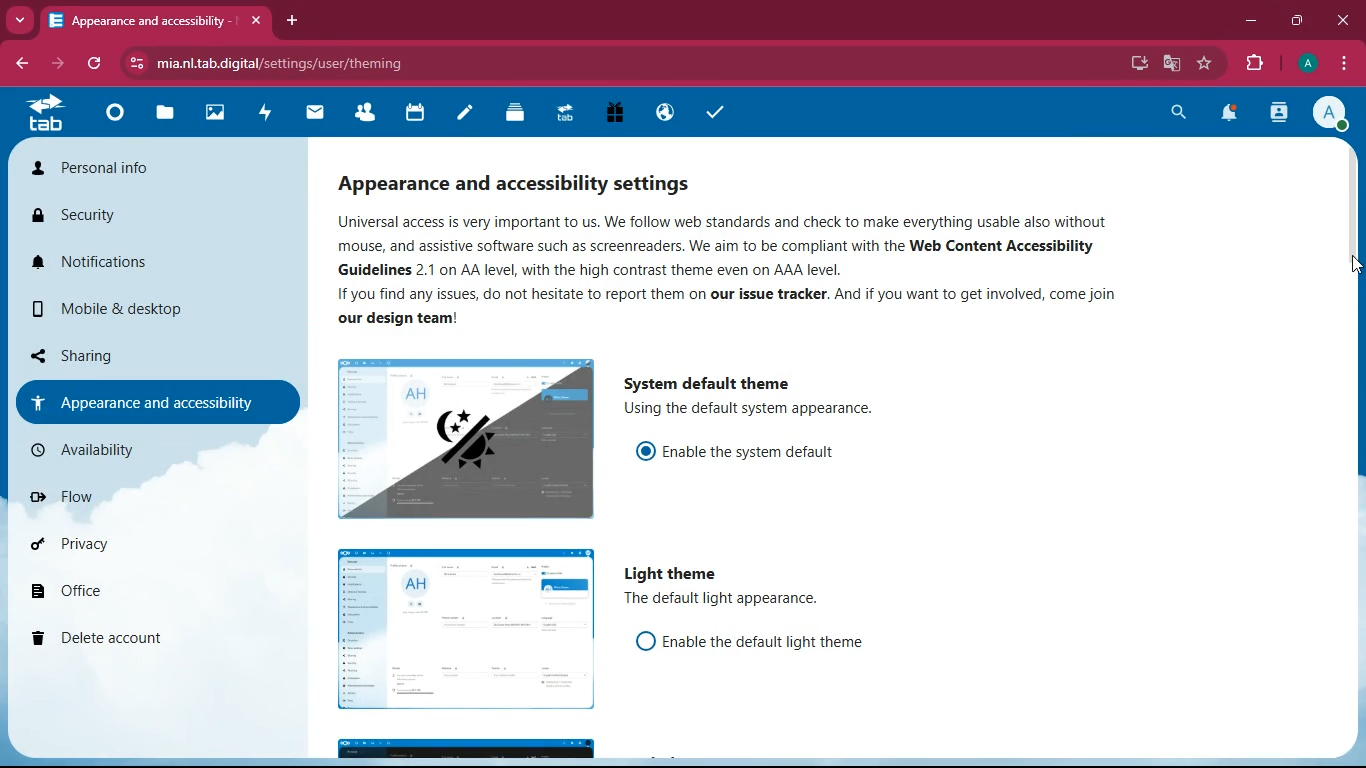  I want to click on images, so click(211, 114).